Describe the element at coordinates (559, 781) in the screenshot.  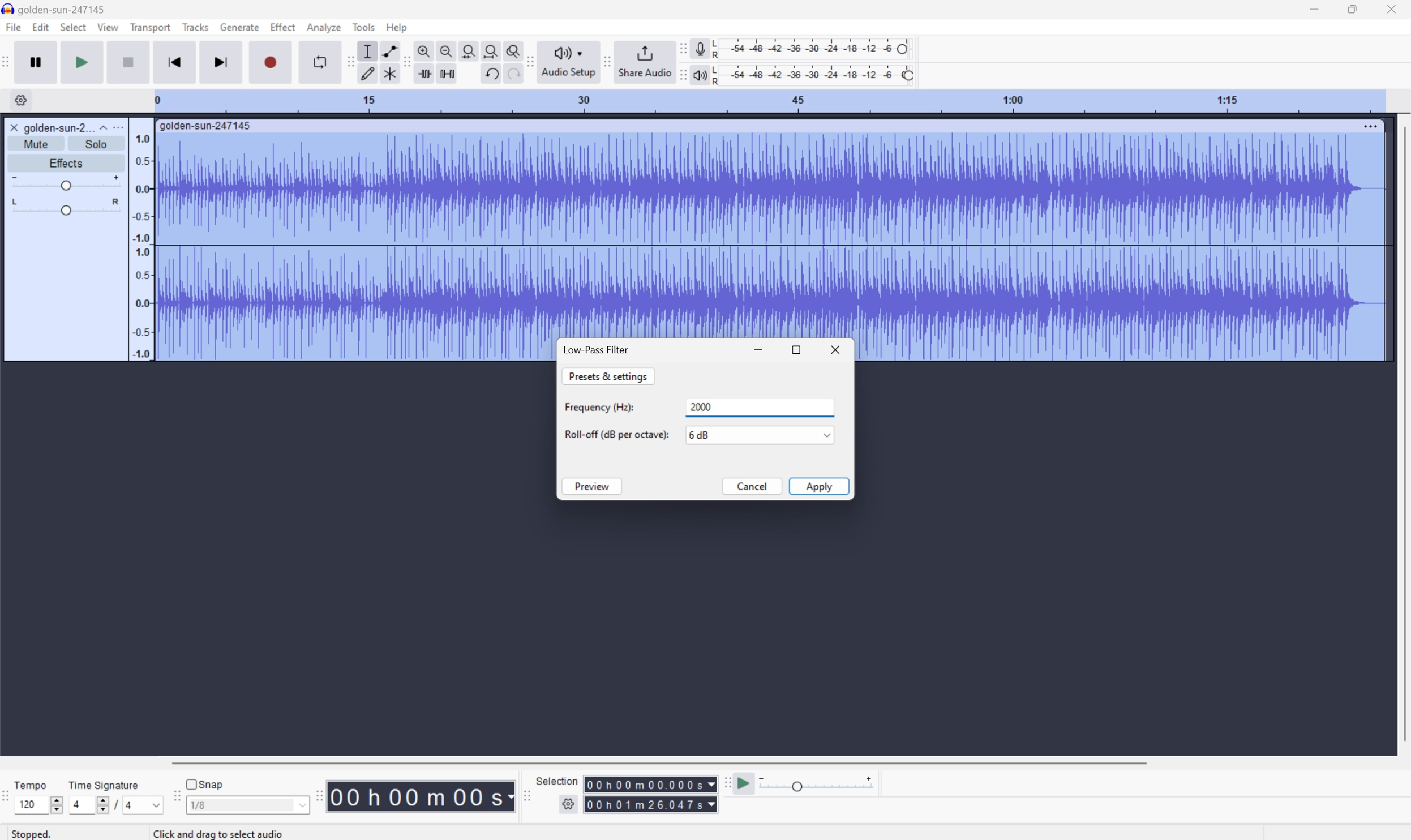
I see `Selection` at that location.